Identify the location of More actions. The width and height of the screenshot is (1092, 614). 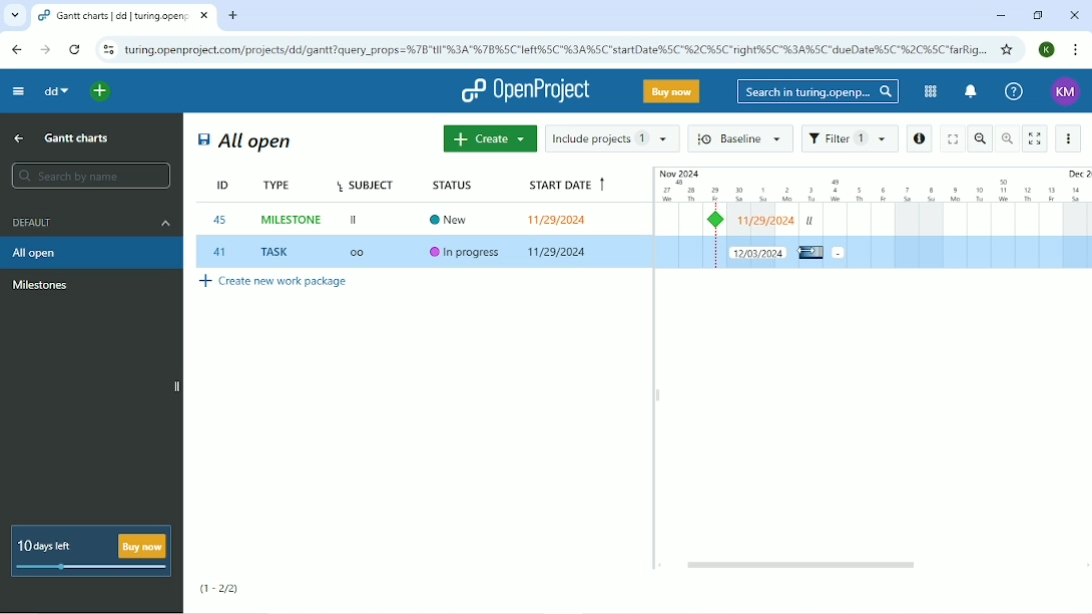
(1070, 138).